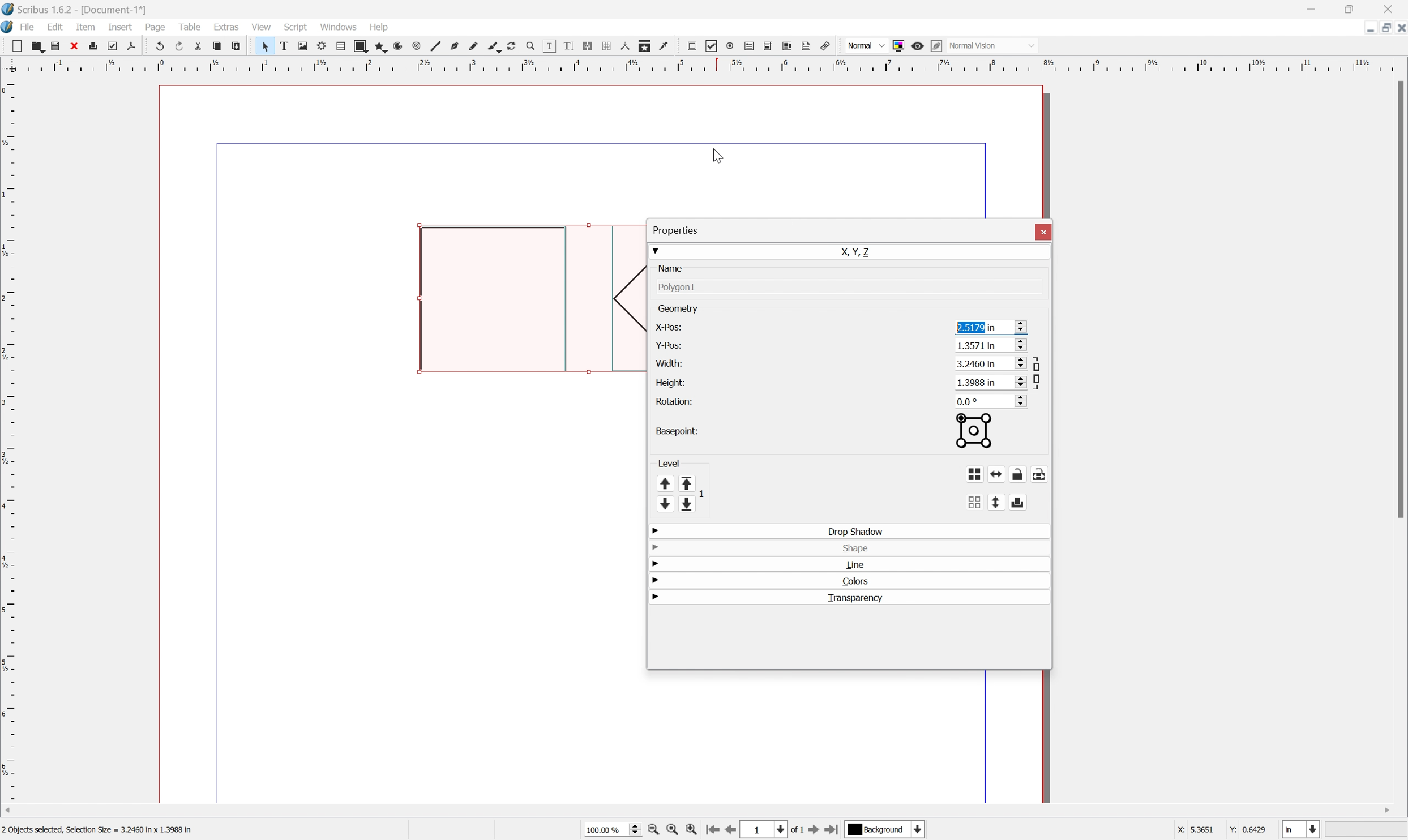  Describe the element at coordinates (687, 830) in the screenshot. I see `Zoom in` at that location.